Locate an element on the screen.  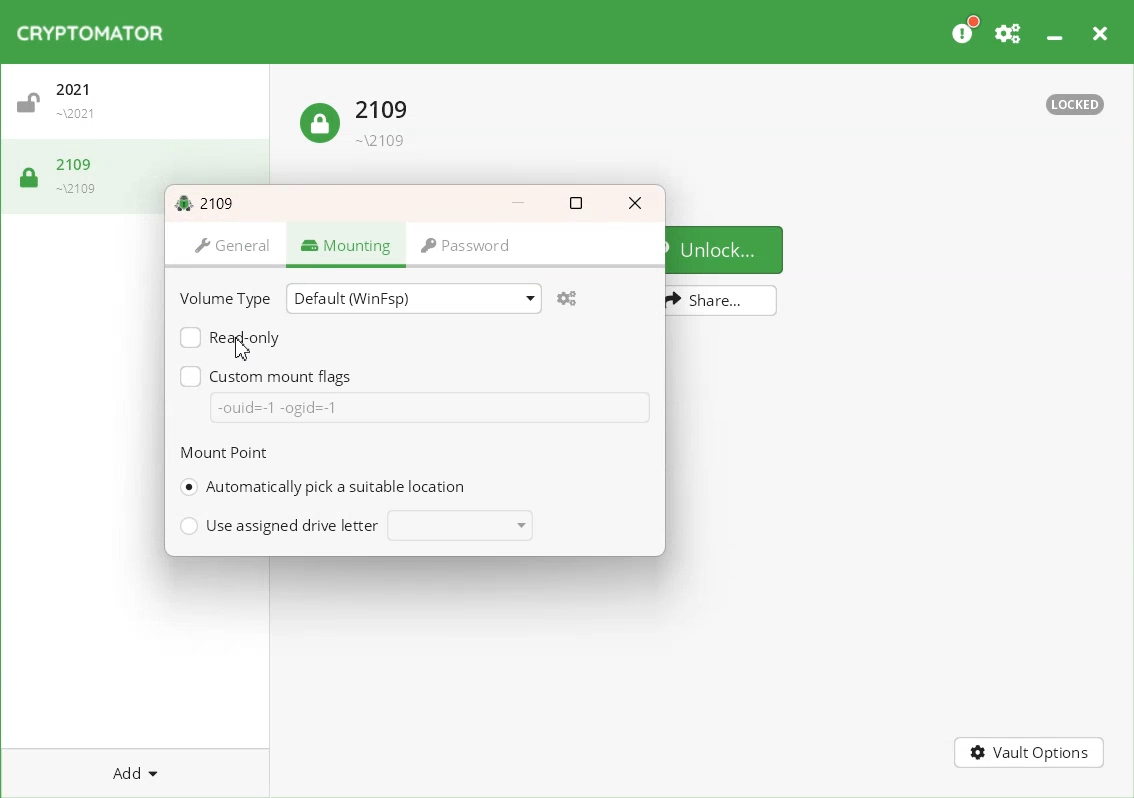
General is located at coordinates (228, 247).